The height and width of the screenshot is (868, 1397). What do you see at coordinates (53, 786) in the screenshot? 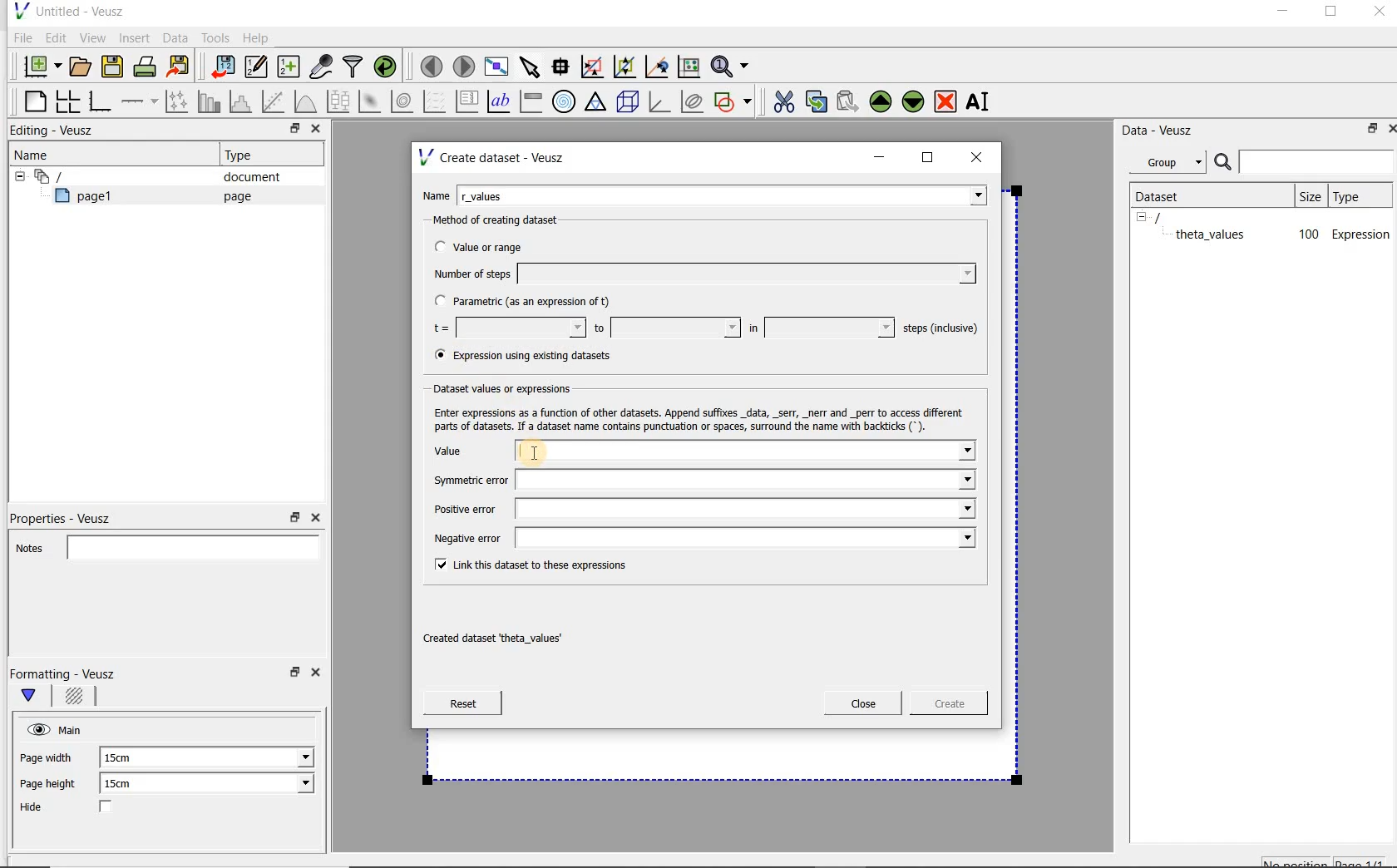
I see `Page height` at bounding box center [53, 786].